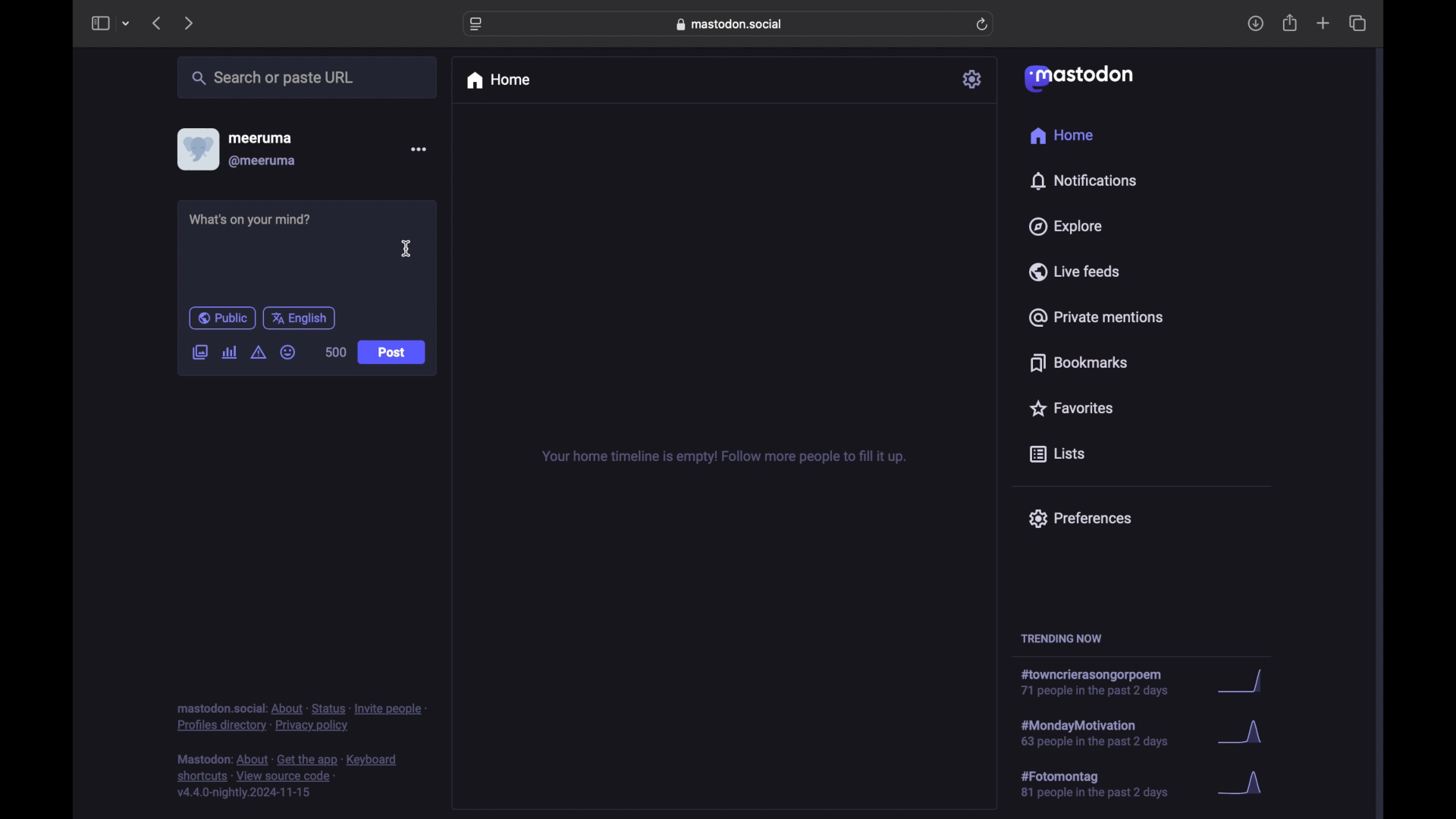  Describe the element at coordinates (418, 149) in the screenshot. I see `more options` at that location.